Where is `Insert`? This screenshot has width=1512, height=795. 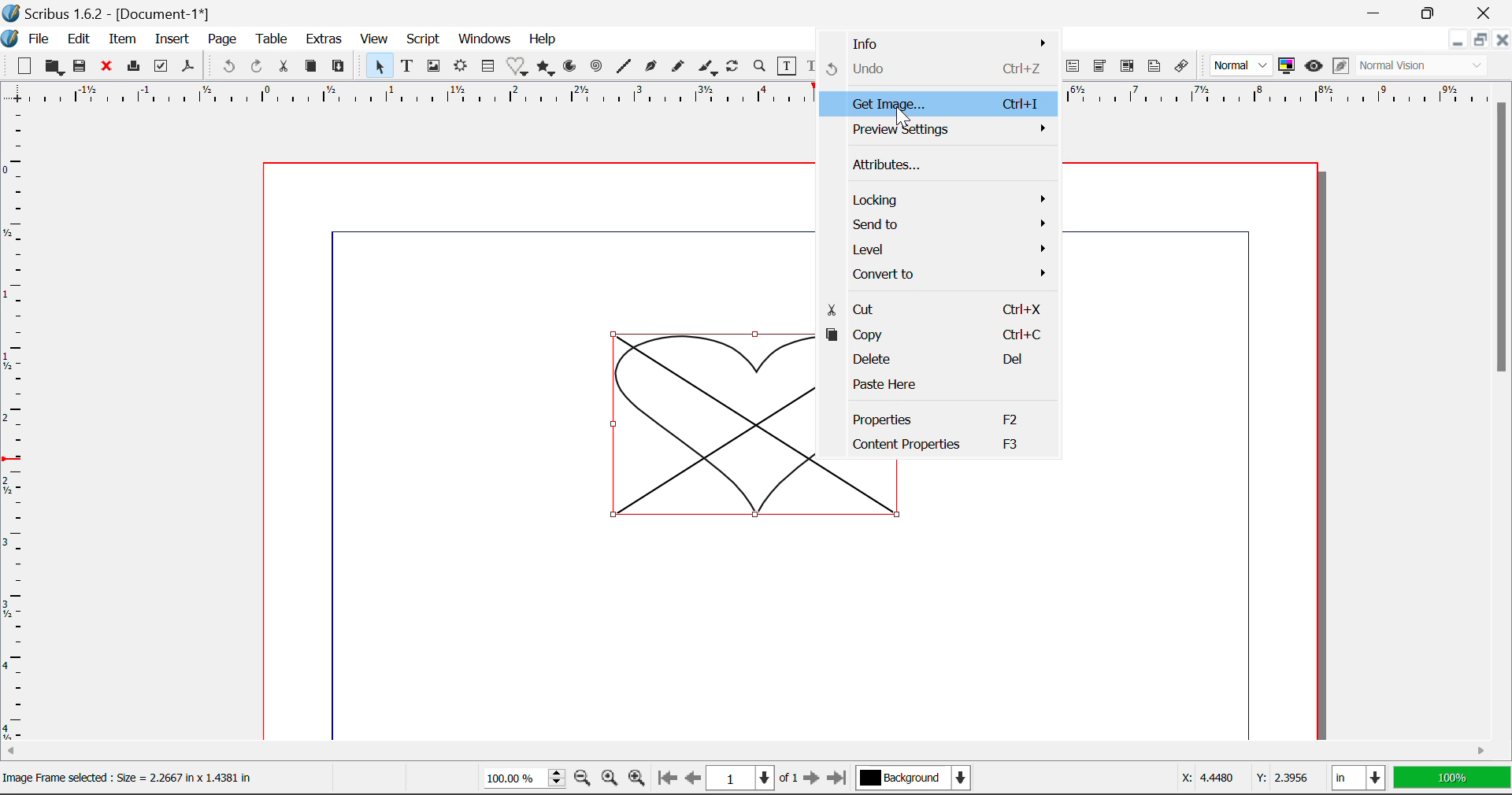 Insert is located at coordinates (170, 39).